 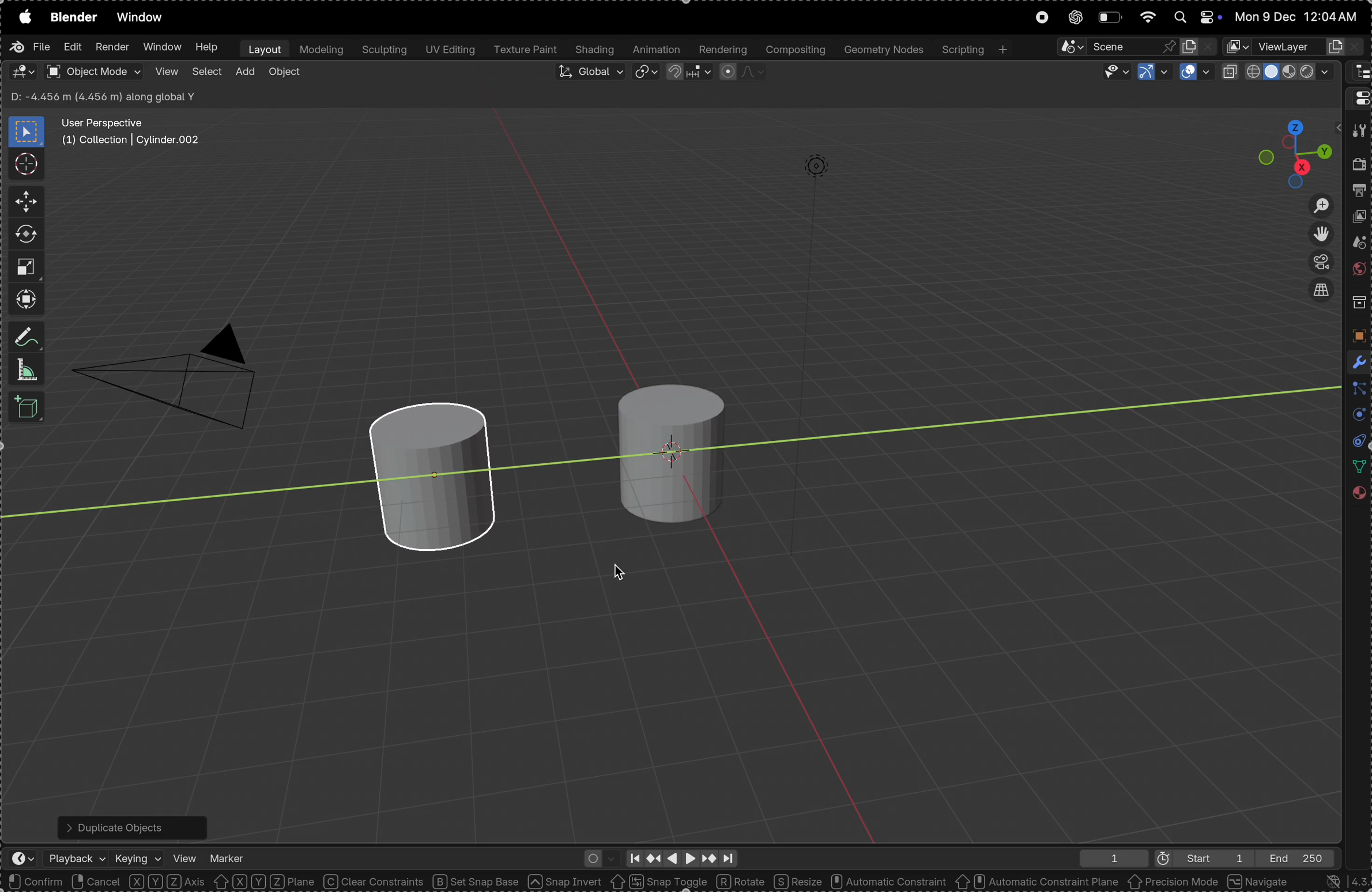 What do you see at coordinates (130, 825) in the screenshot?
I see `Duplicate objects` at bounding box center [130, 825].